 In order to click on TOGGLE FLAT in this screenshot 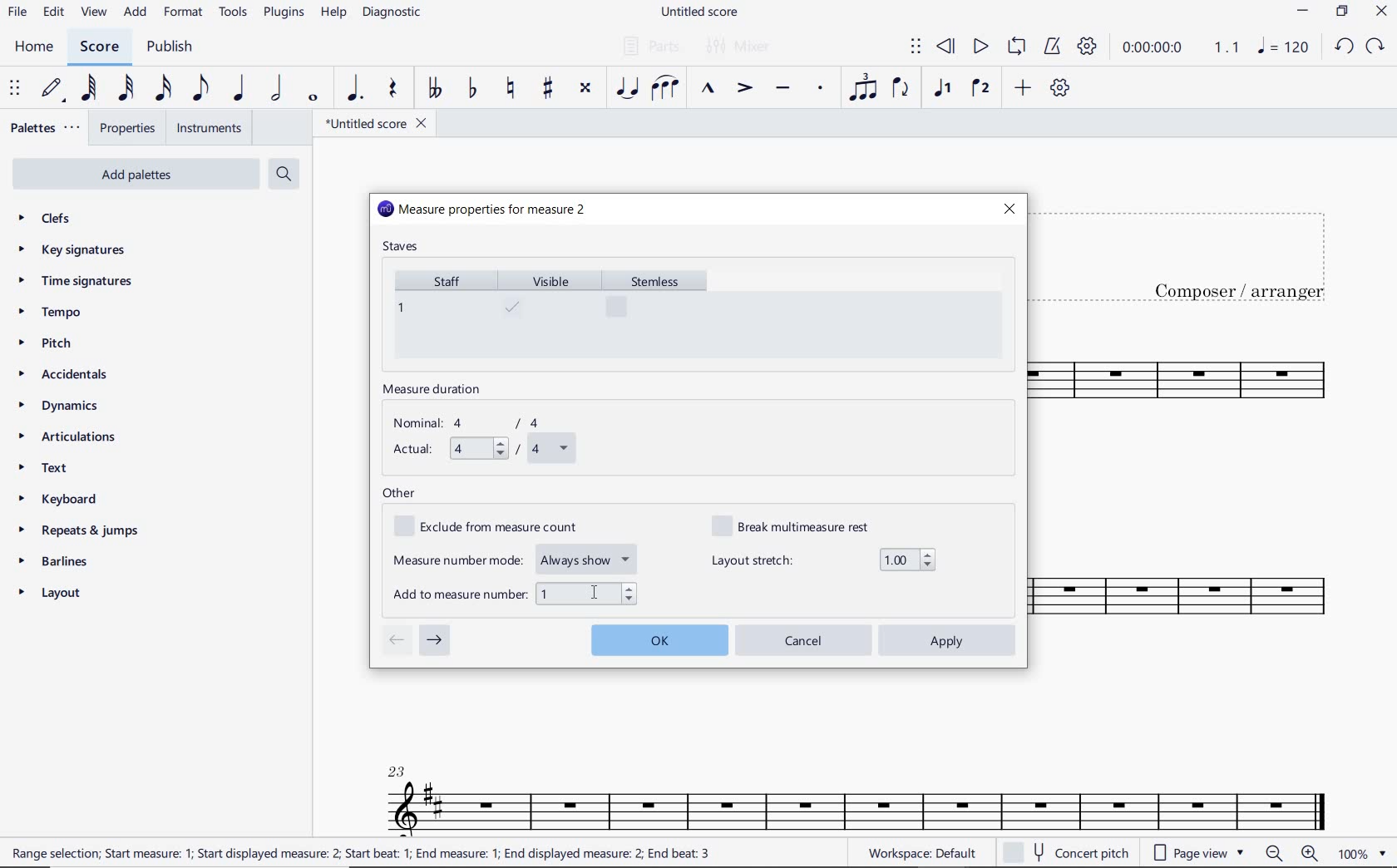, I will do `click(473, 90)`.